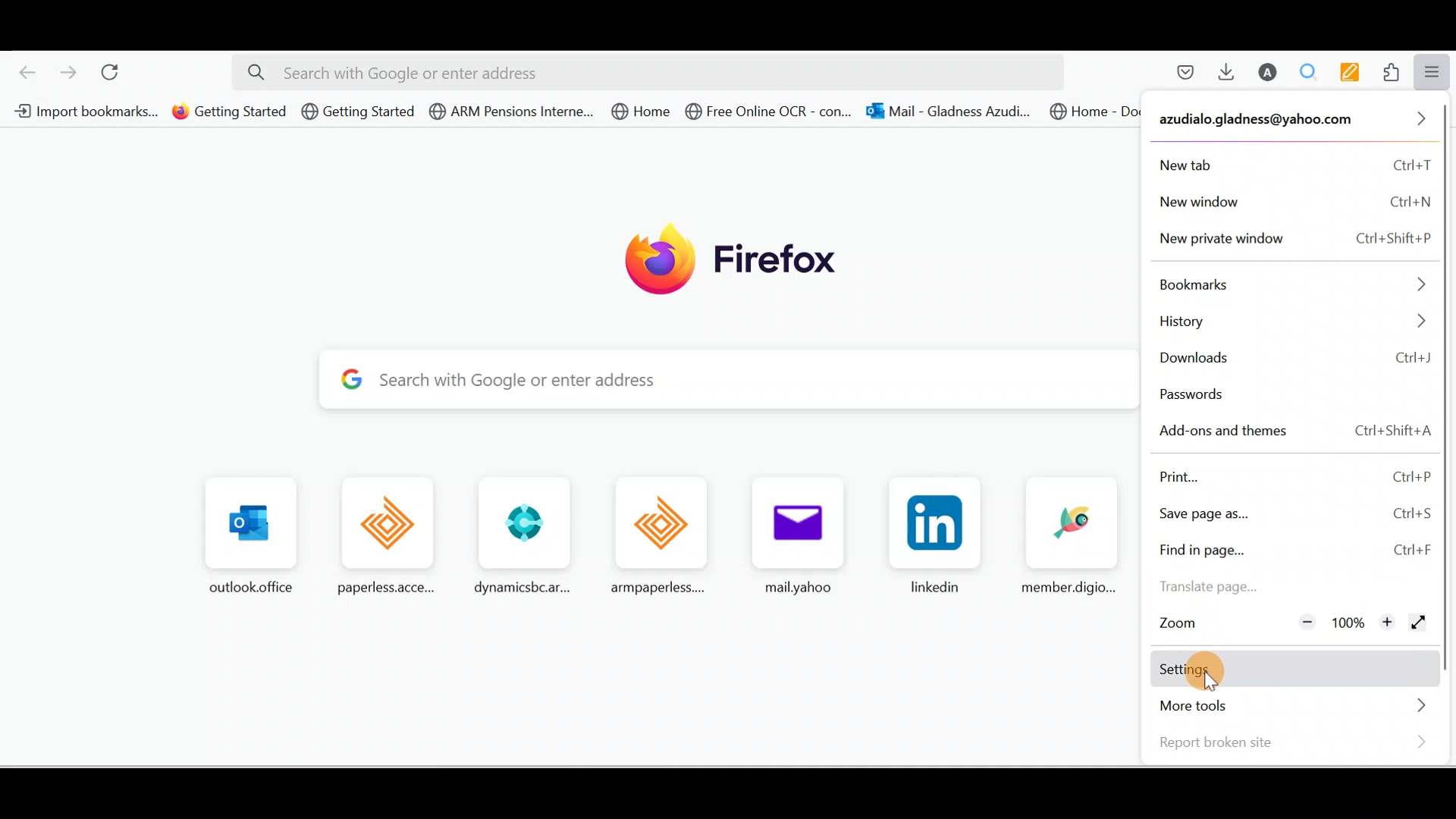 The width and height of the screenshot is (1456, 819). What do you see at coordinates (947, 113) in the screenshot?
I see `Bookmark 7` at bounding box center [947, 113].